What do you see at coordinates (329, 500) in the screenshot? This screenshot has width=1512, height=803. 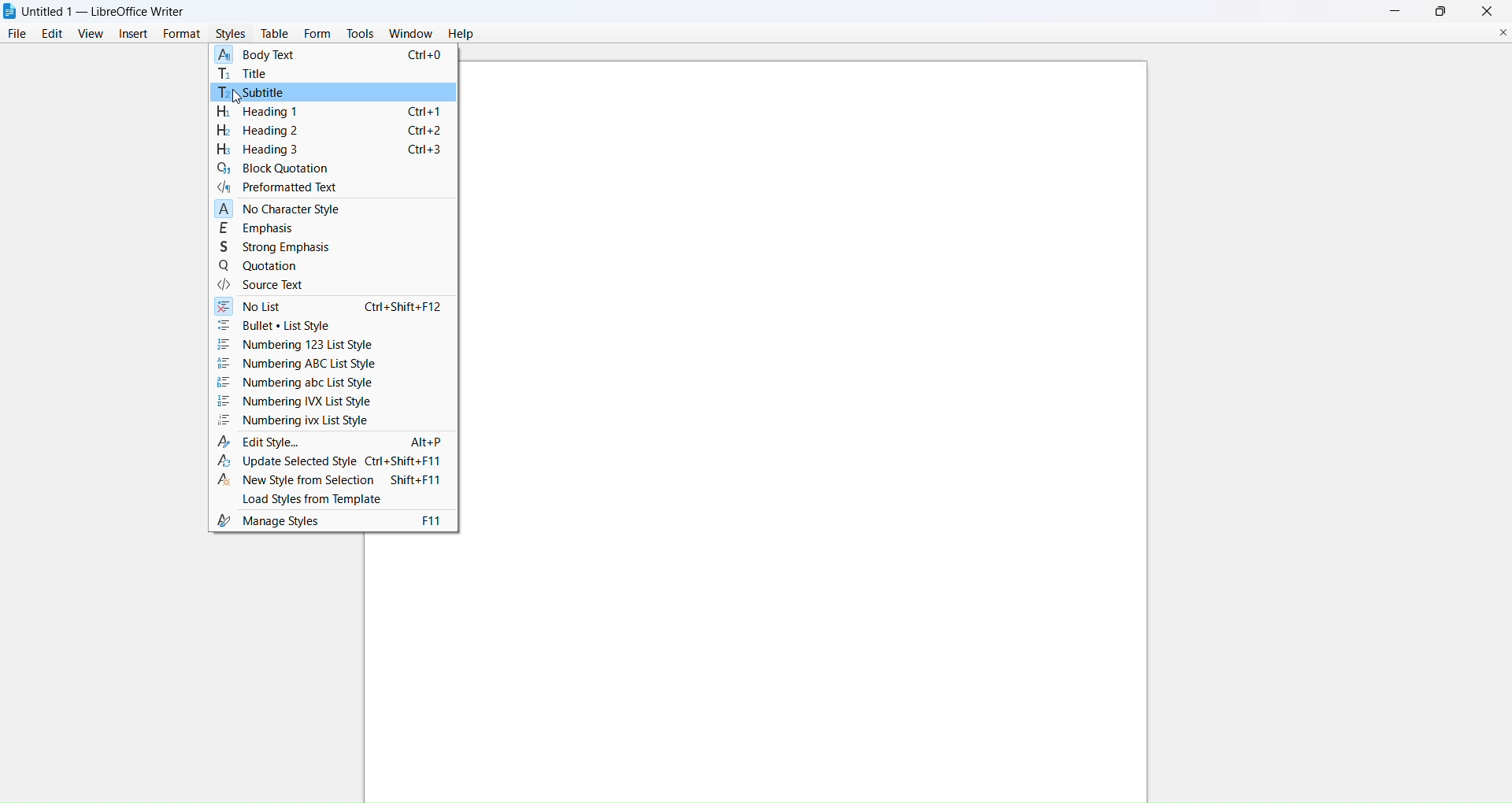 I see `load styles from template` at bounding box center [329, 500].